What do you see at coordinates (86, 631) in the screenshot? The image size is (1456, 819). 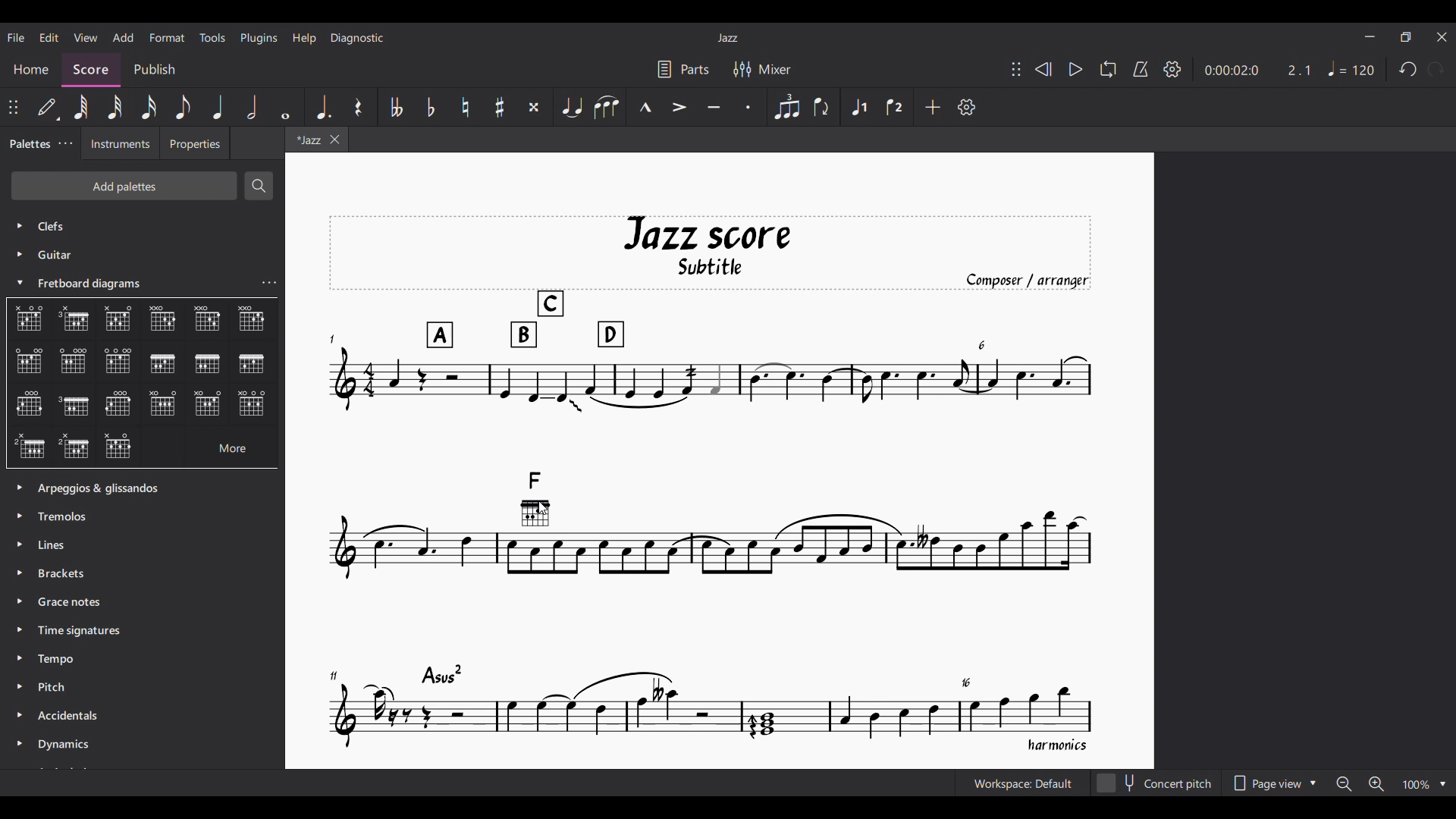 I see `Time` at bounding box center [86, 631].